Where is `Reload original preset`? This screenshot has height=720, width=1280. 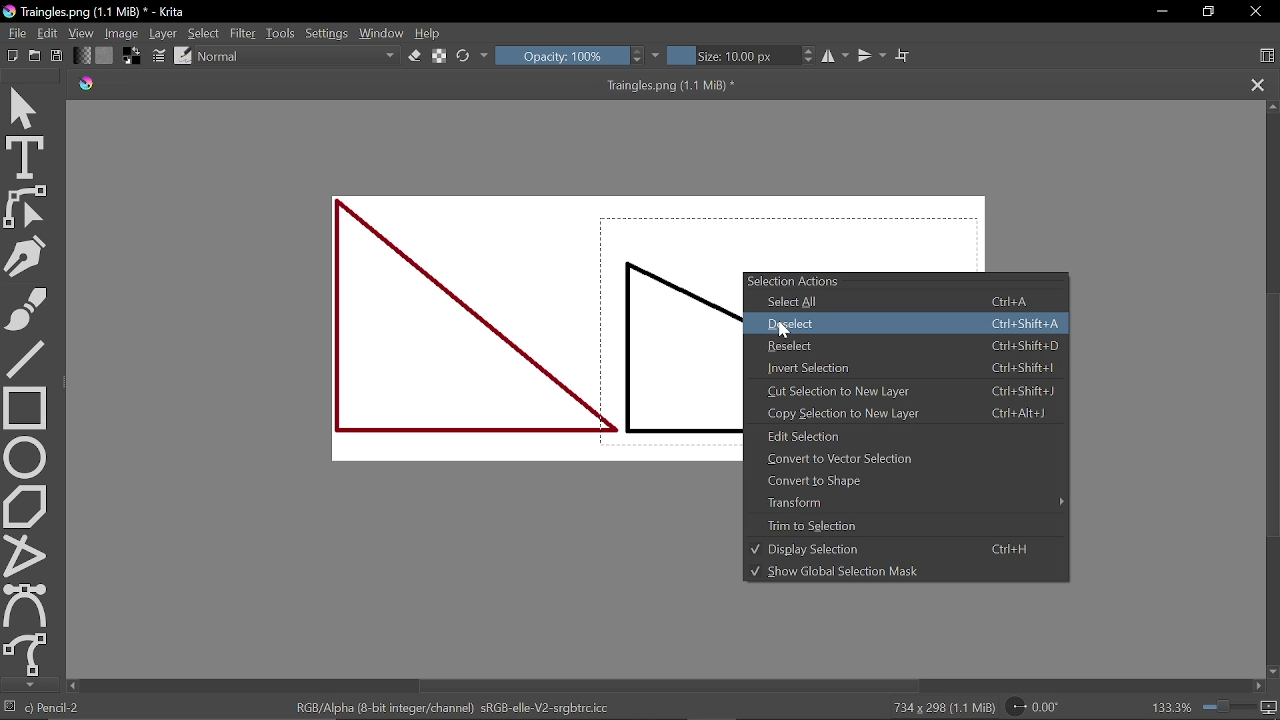 Reload original preset is located at coordinates (473, 55).